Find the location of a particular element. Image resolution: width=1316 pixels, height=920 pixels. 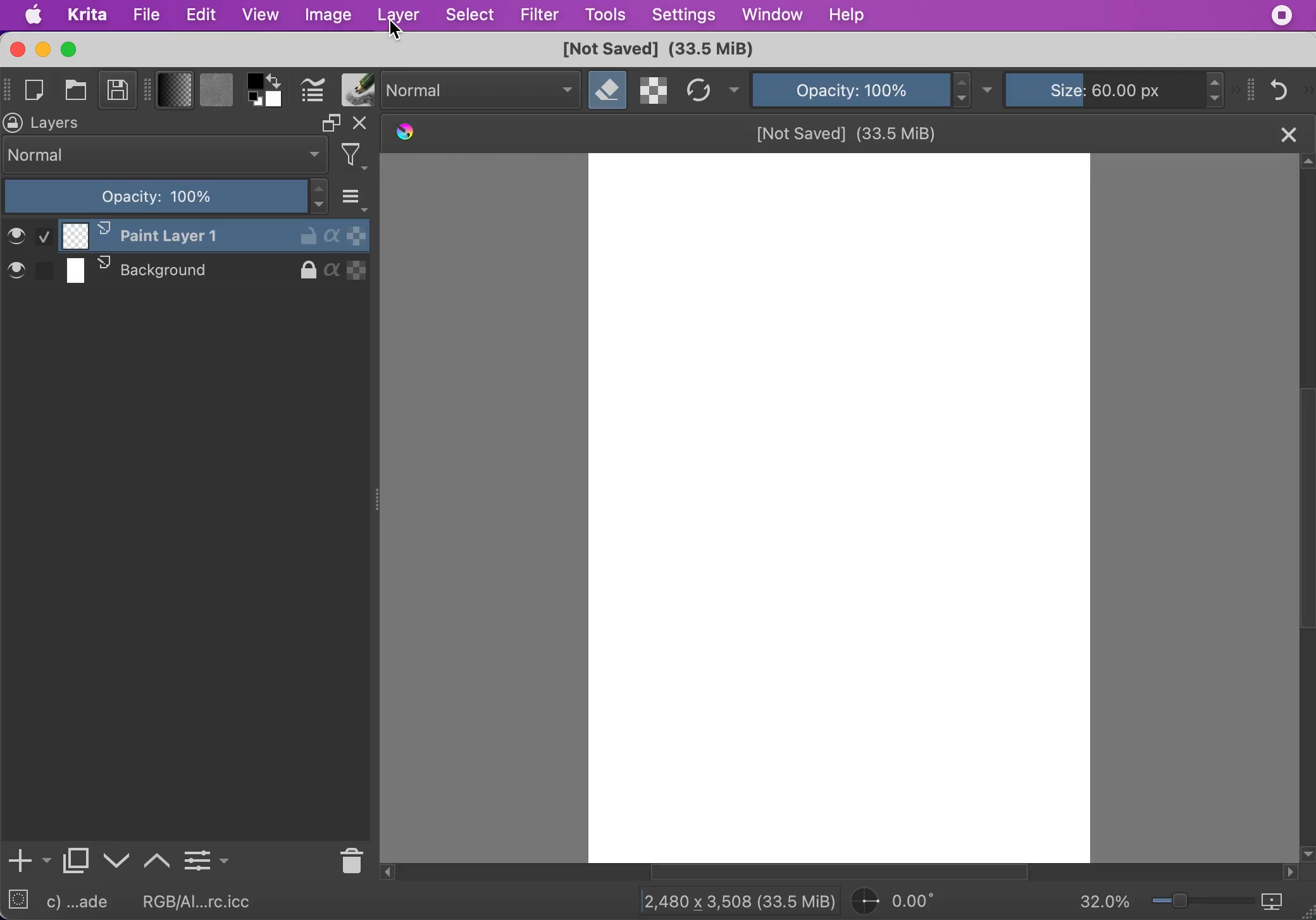

opacity is located at coordinates (850, 89).